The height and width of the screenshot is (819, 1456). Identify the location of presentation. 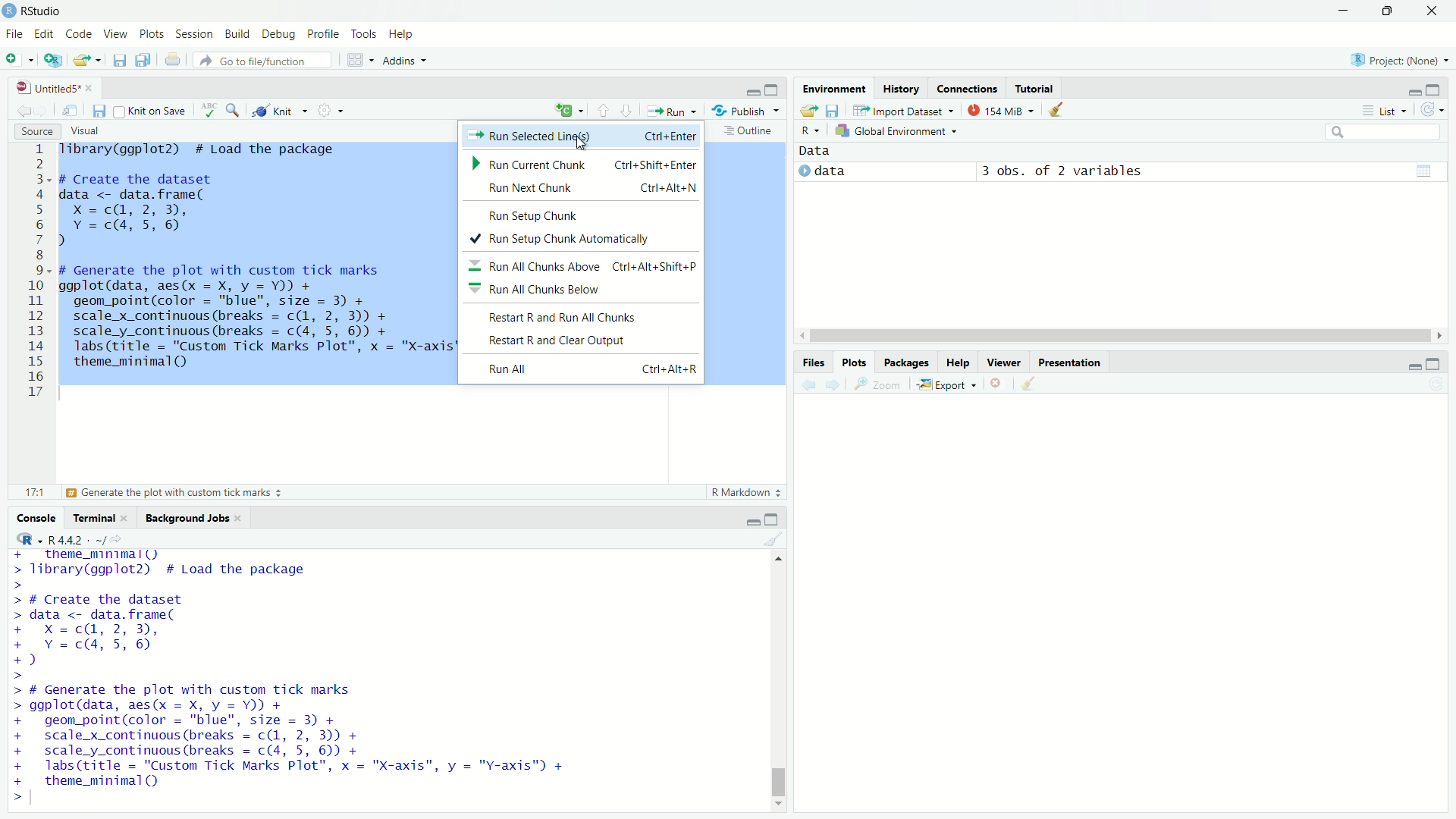
(1069, 361).